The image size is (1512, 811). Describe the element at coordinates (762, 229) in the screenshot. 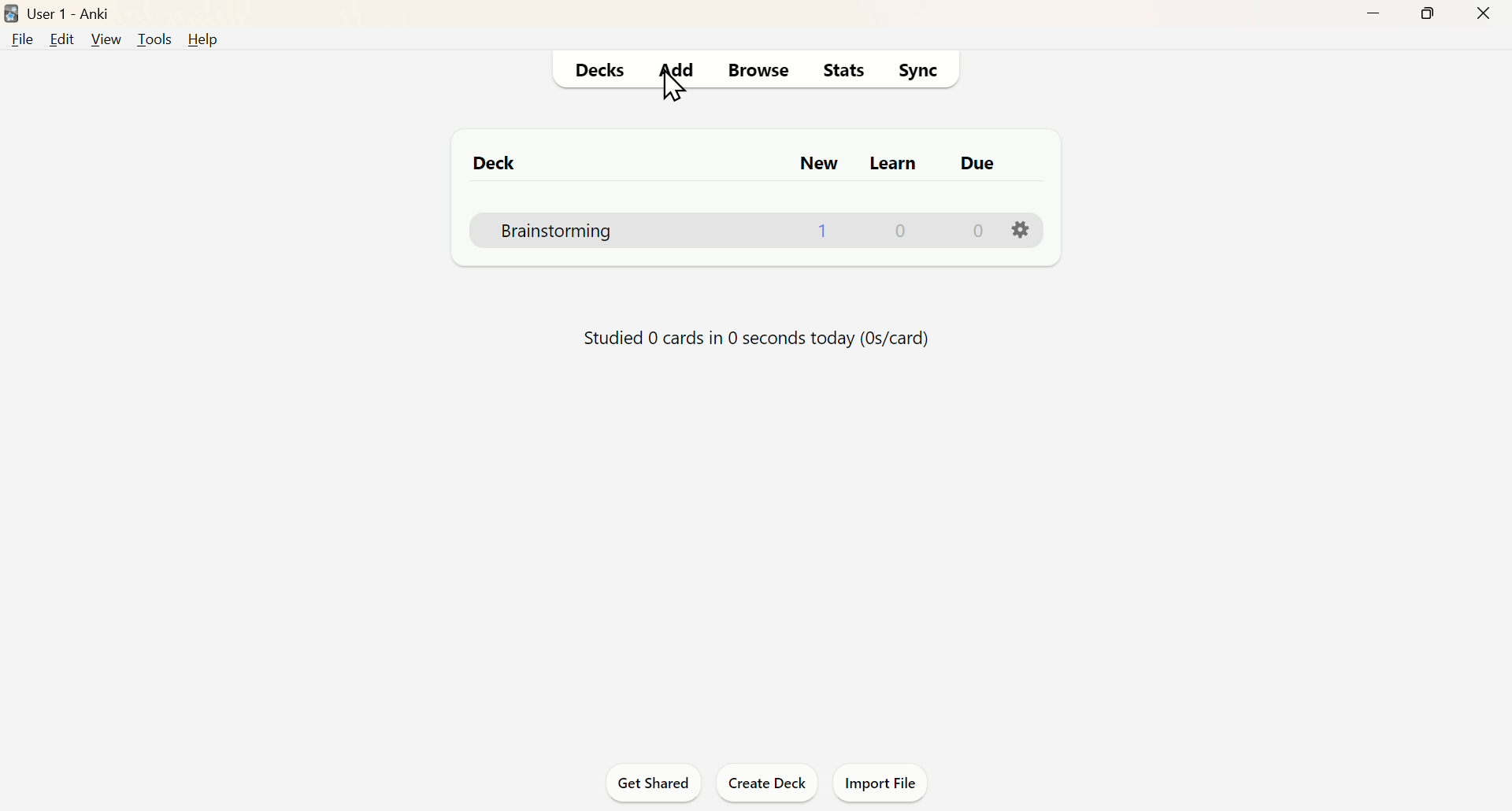

I see `Brainstorming` at that location.